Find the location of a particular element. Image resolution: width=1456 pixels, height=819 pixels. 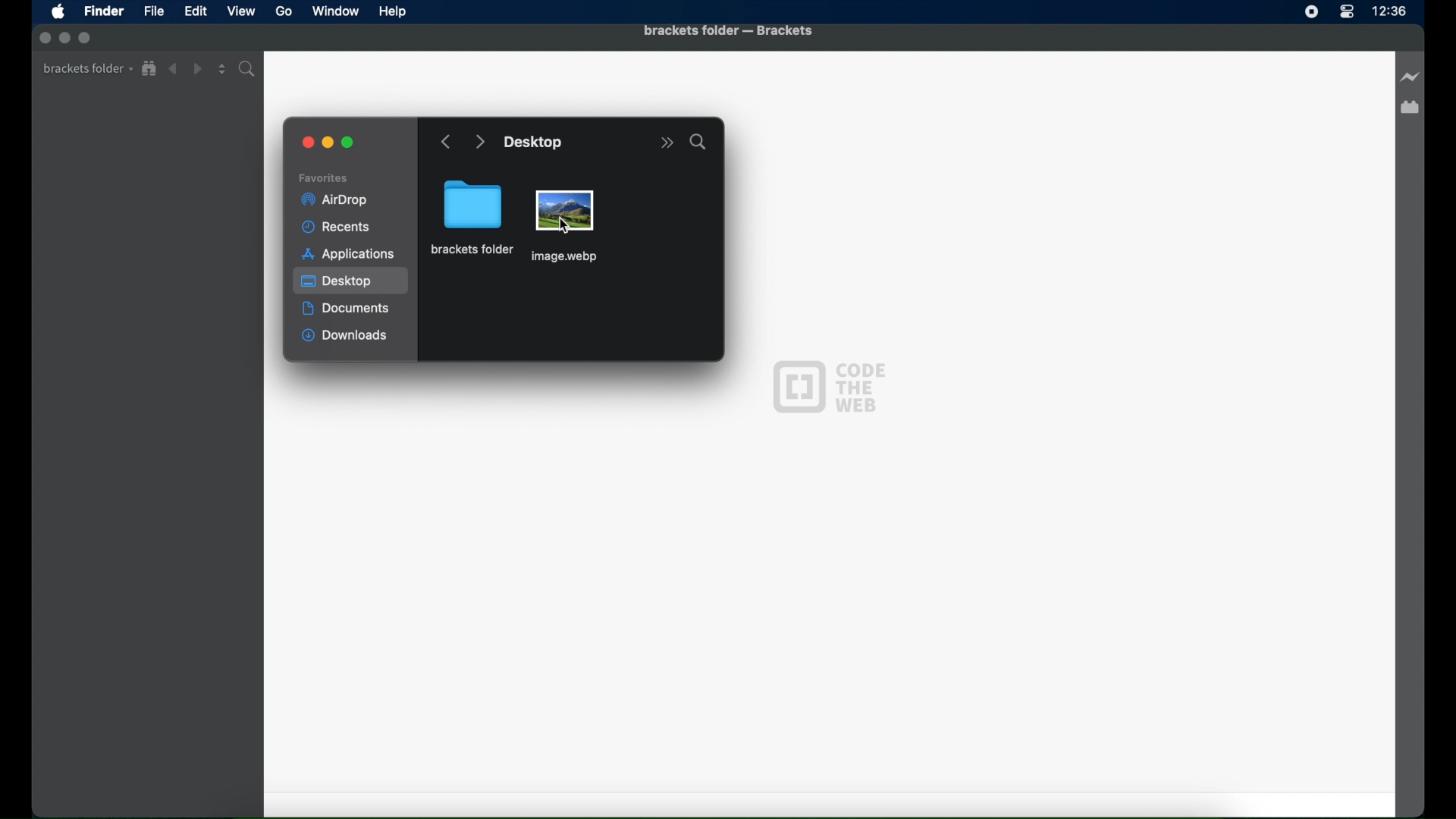

screen recorder icon is located at coordinates (1312, 13).